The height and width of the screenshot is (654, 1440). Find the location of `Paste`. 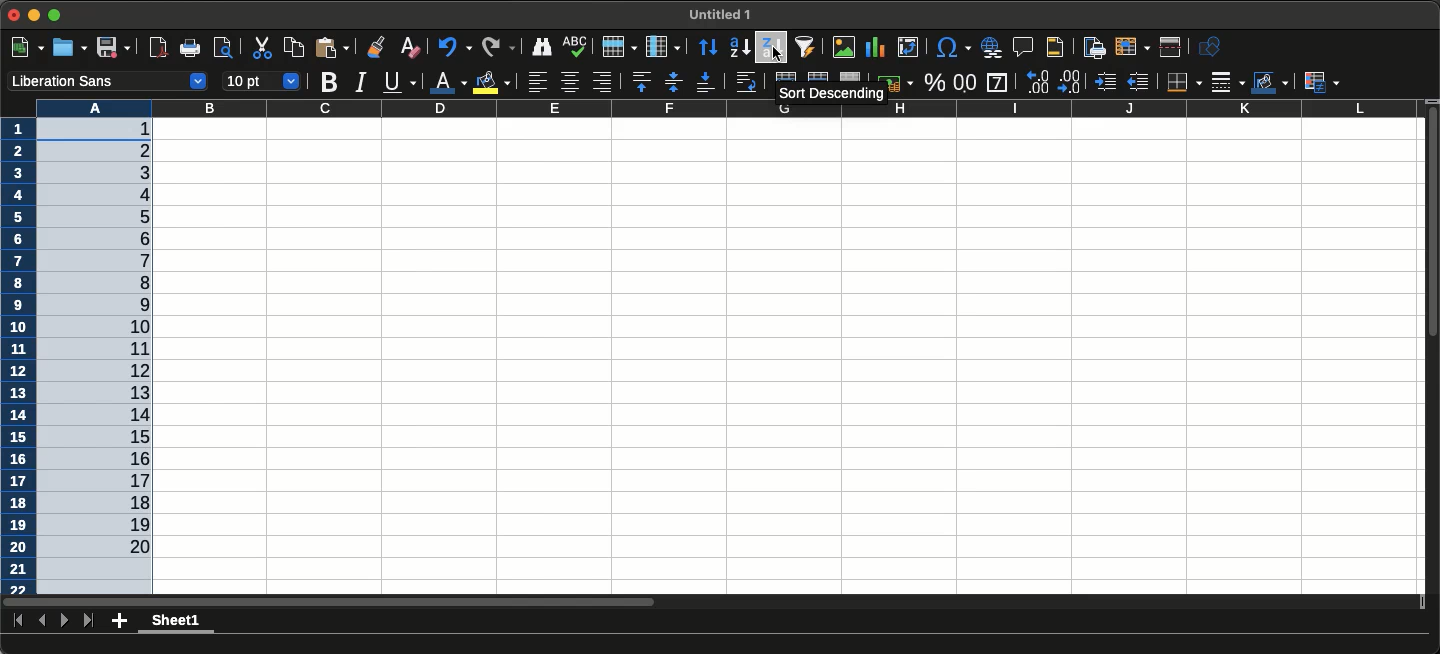

Paste is located at coordinates (332, 47).